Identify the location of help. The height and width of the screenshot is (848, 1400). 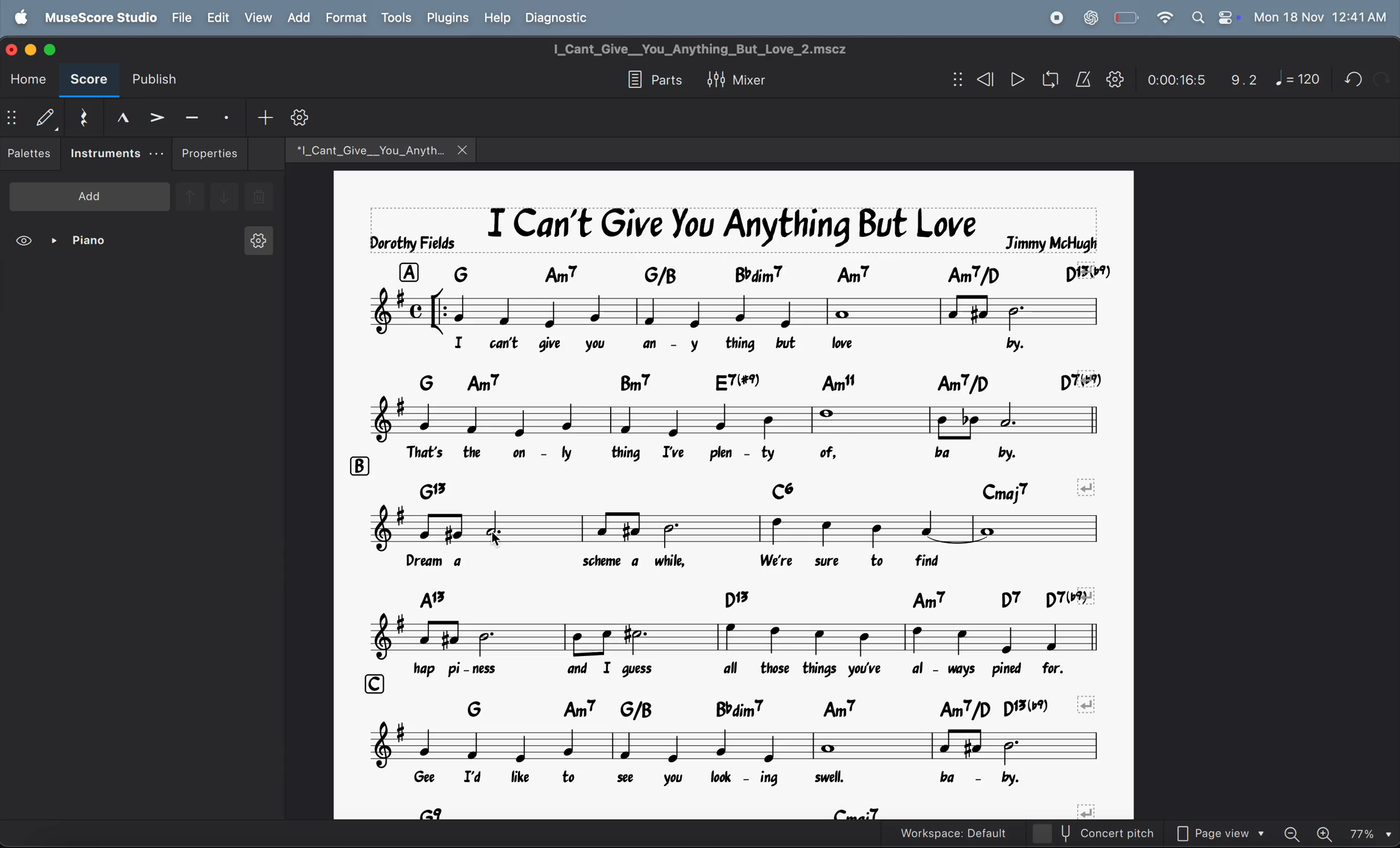
(497, 18).